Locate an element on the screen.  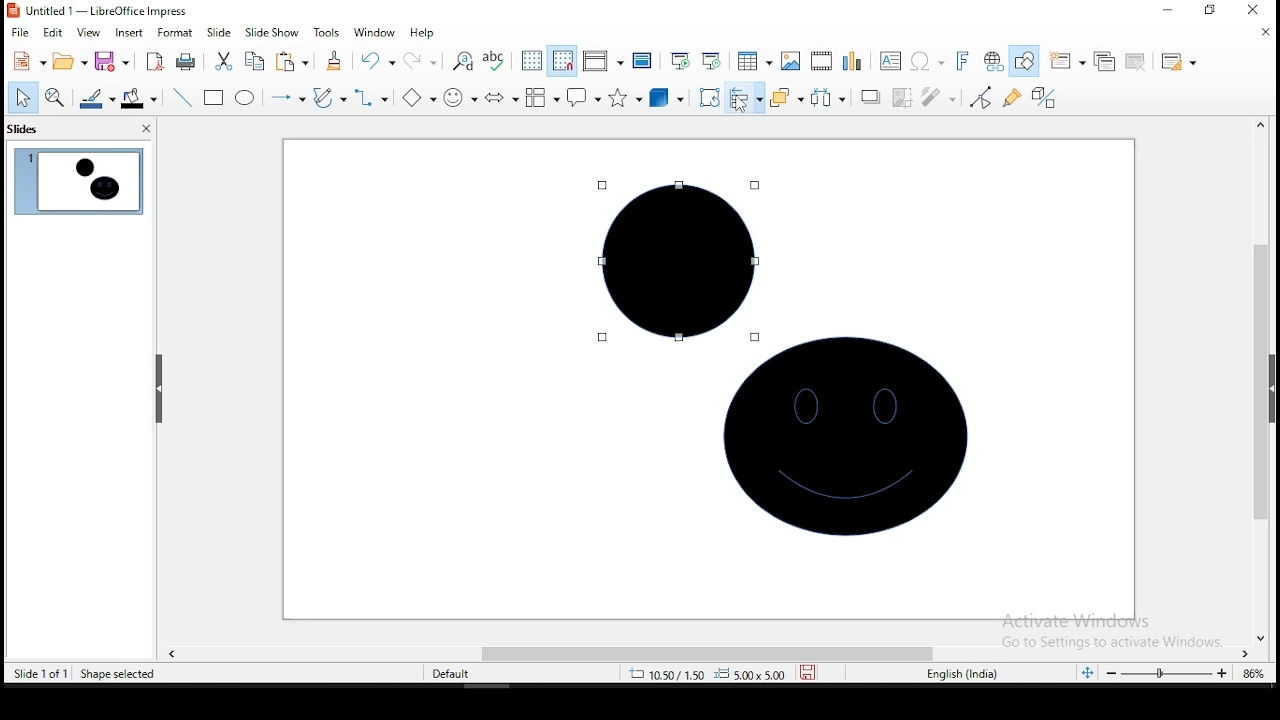
display views is located at coordinates (602, 61).